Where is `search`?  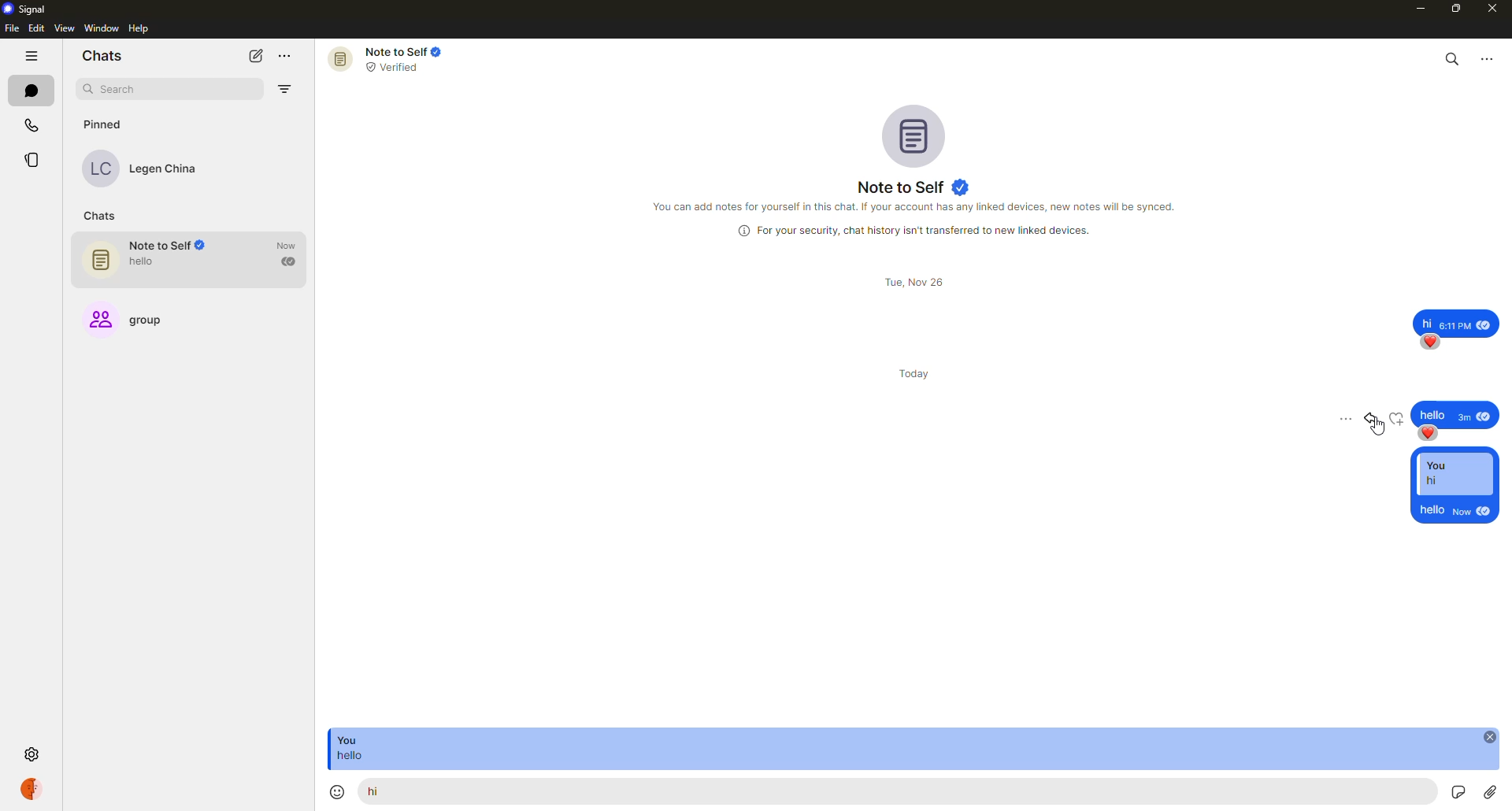 search is located at coordinates (147, 87).